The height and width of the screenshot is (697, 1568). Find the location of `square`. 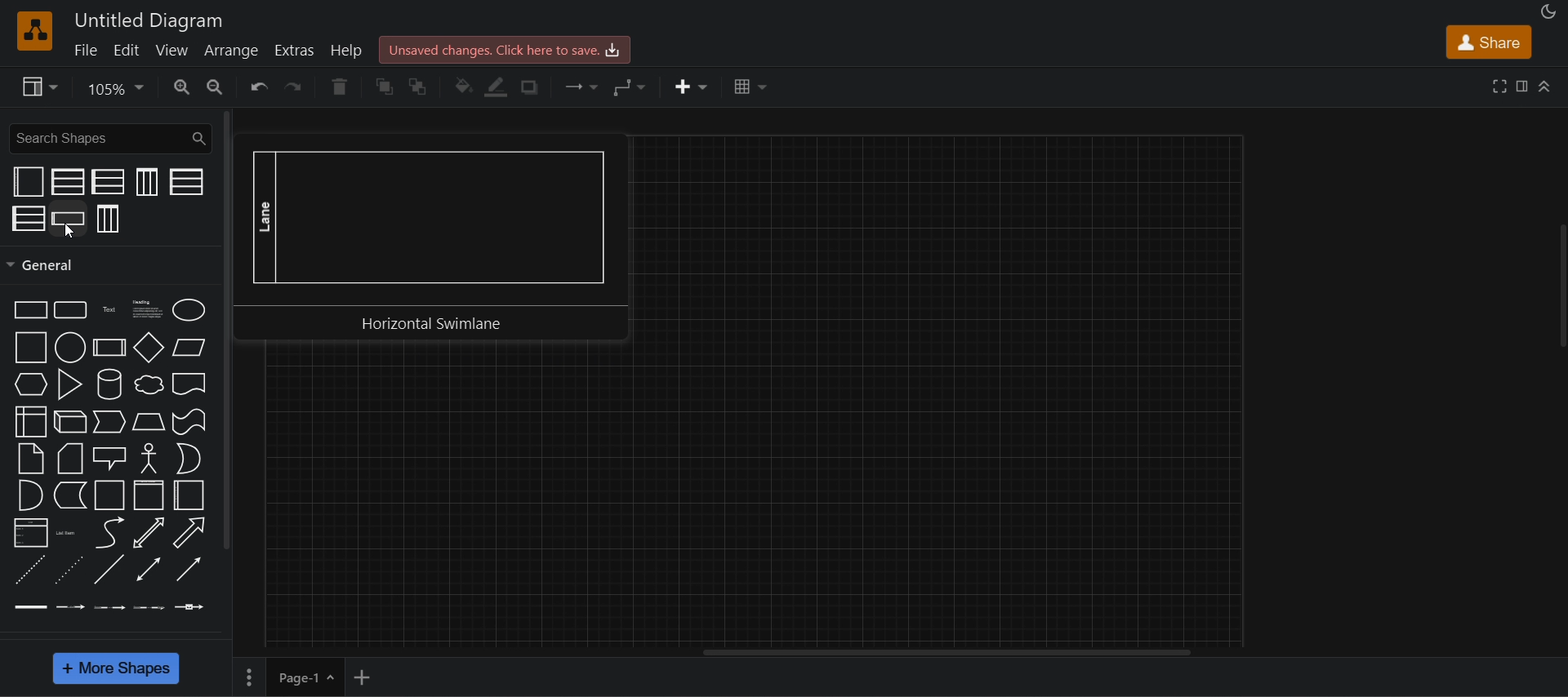

square is located at coordinates (29, 348).